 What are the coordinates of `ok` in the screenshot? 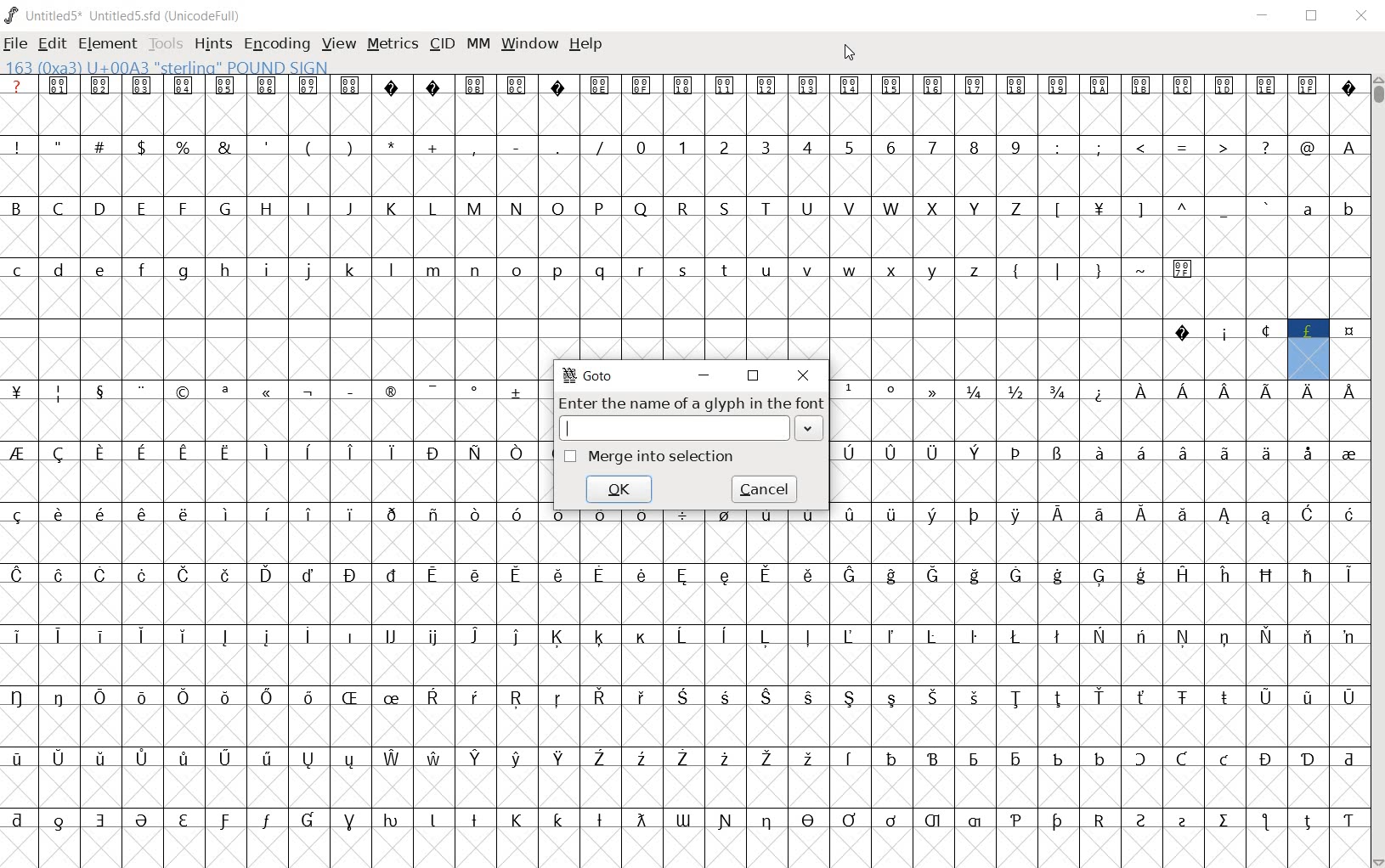 It's located at (619, 488).